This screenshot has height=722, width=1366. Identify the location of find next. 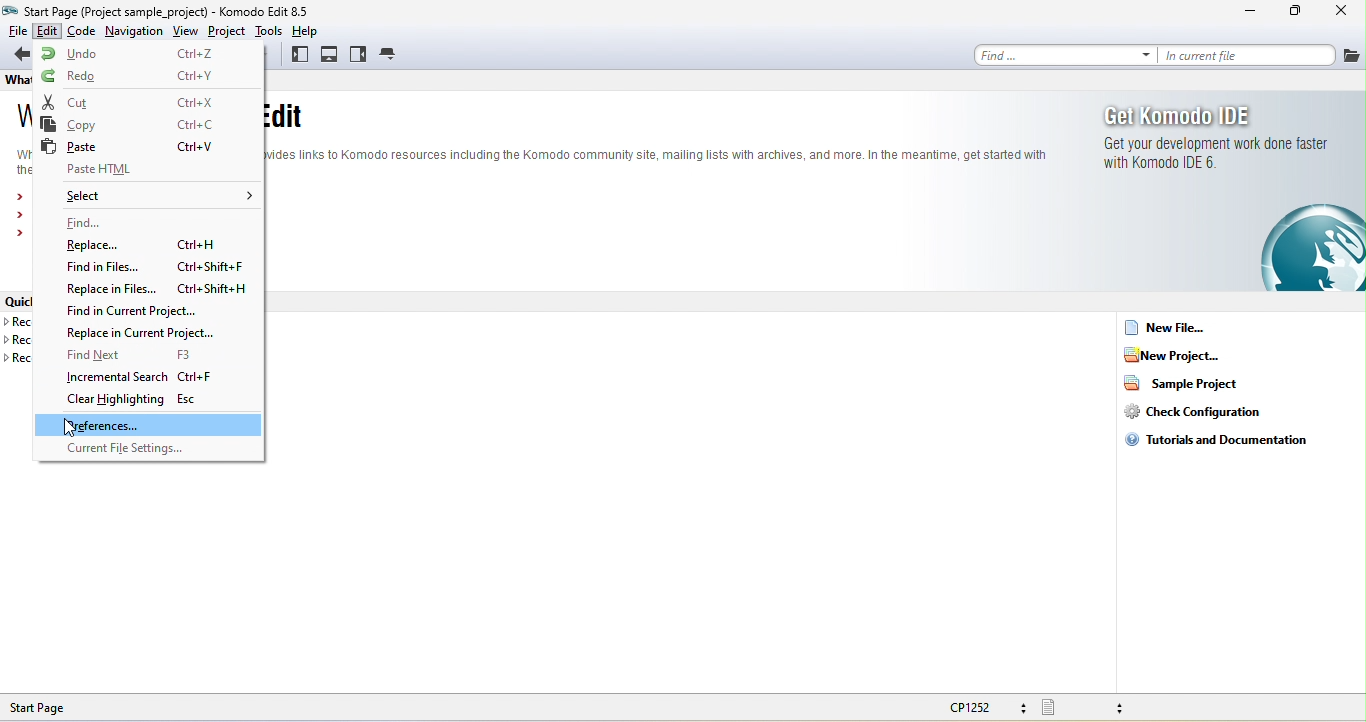
(149, 355).